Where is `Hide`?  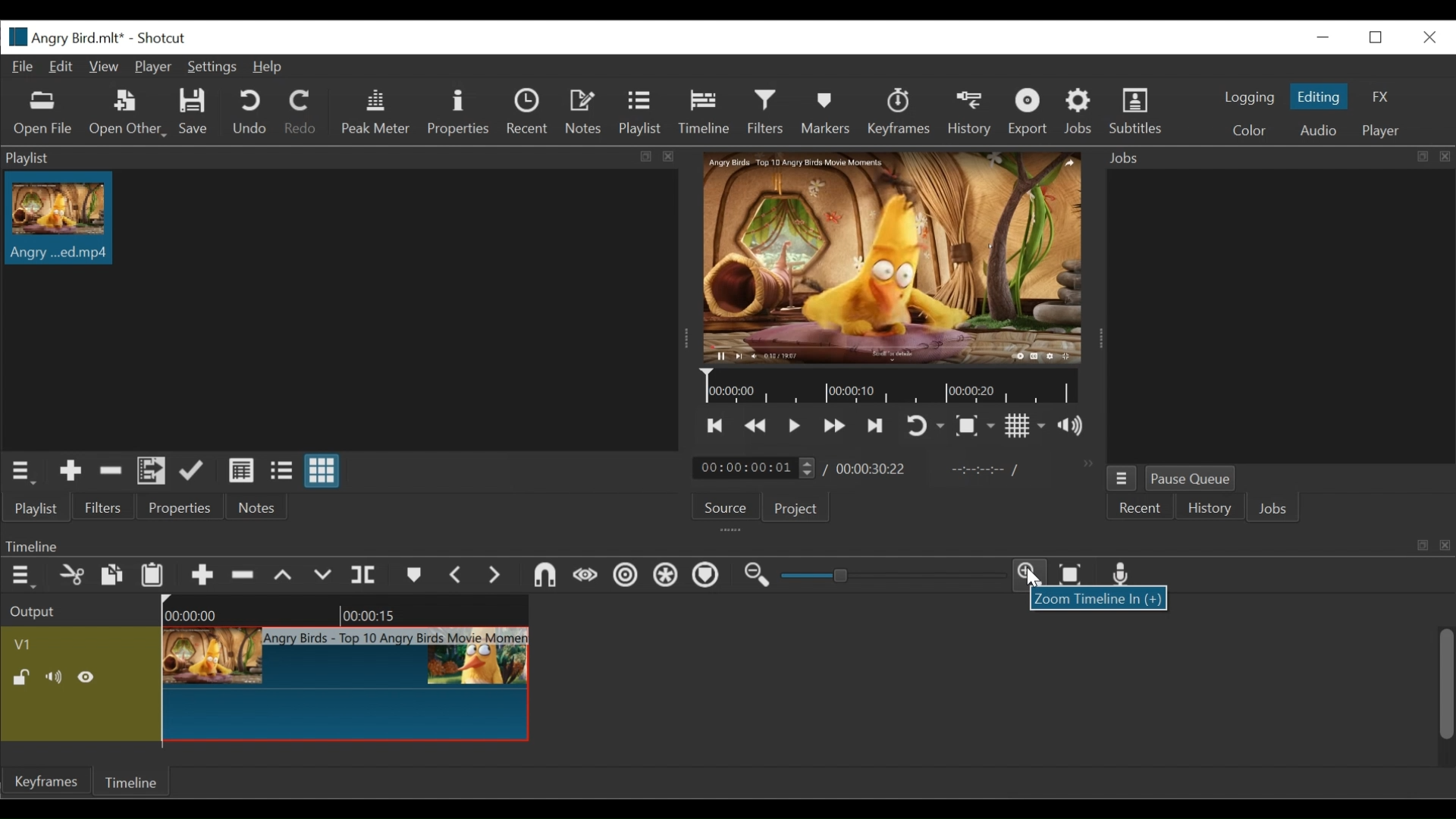 Hide is located at coordinates (88, 678).